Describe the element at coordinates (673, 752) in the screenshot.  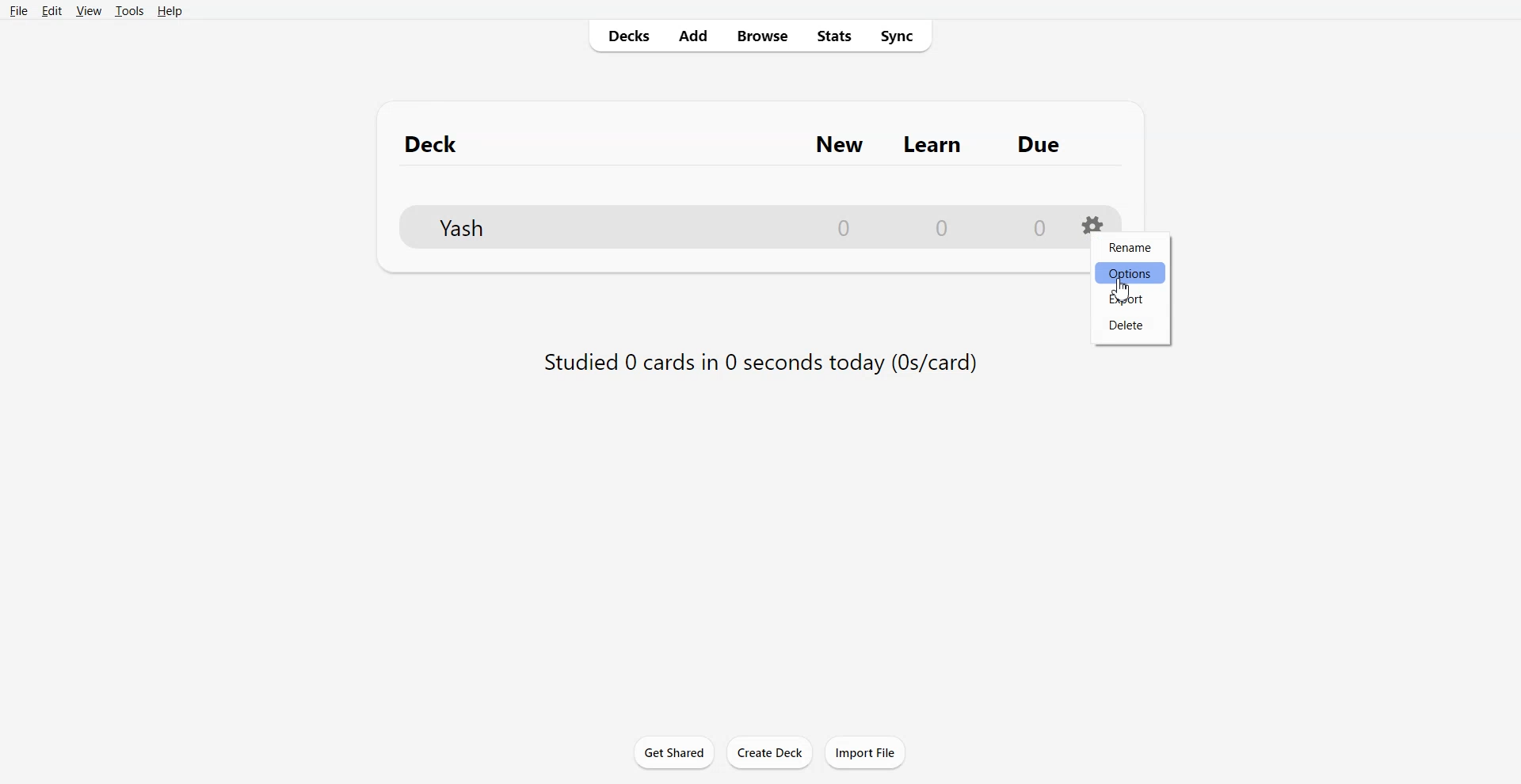
I see `Get shared` at that location.